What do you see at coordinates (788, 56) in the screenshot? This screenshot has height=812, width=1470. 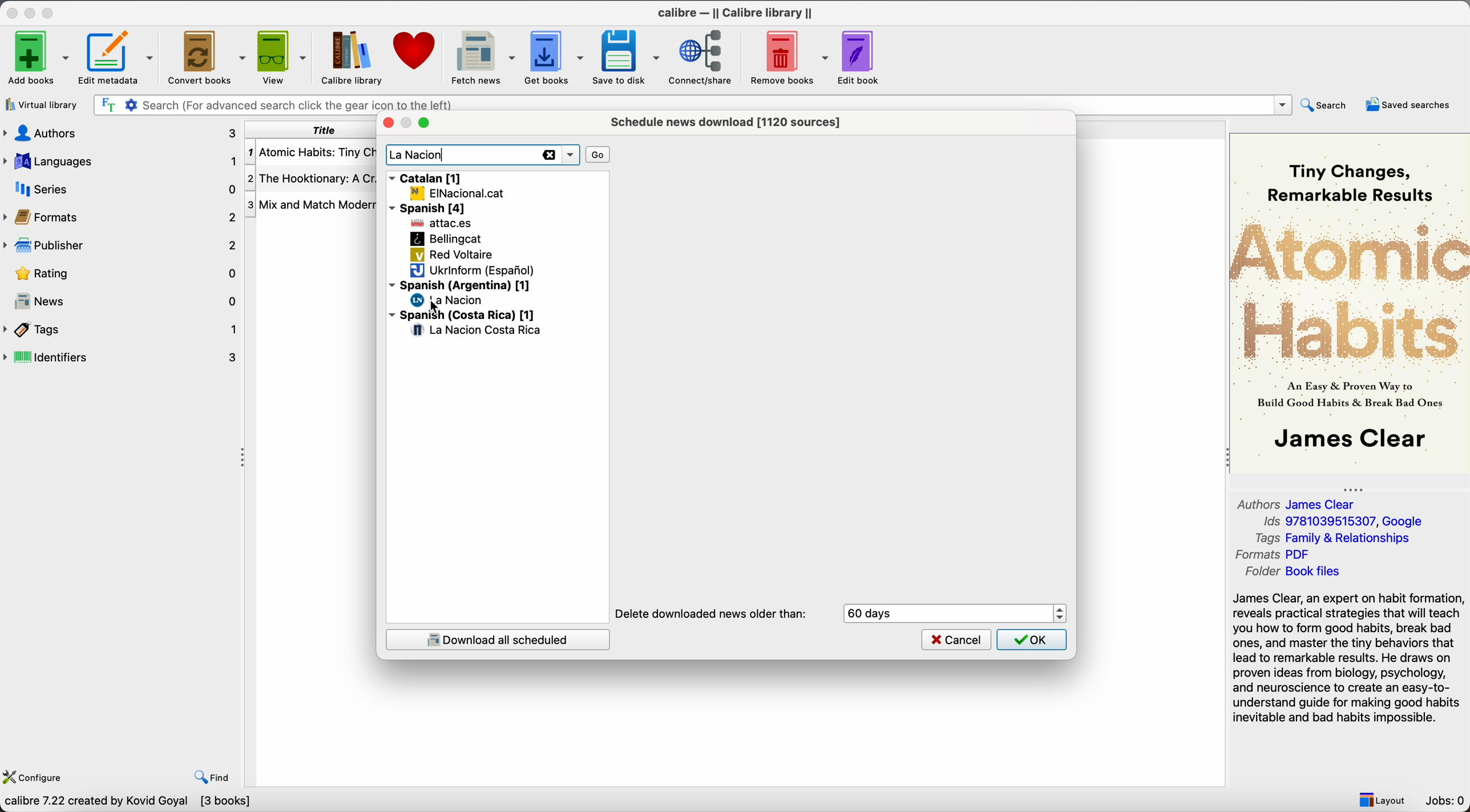 I see `remove books` at bounding box center [788, 56].